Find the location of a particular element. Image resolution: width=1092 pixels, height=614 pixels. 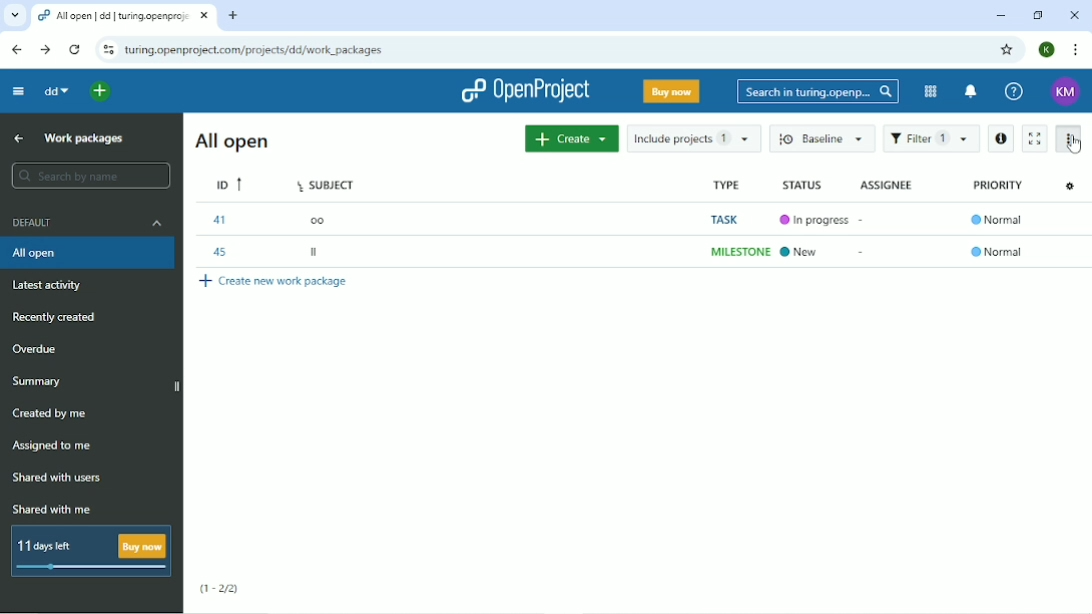

To notification center is located at coordinates (971, 92).